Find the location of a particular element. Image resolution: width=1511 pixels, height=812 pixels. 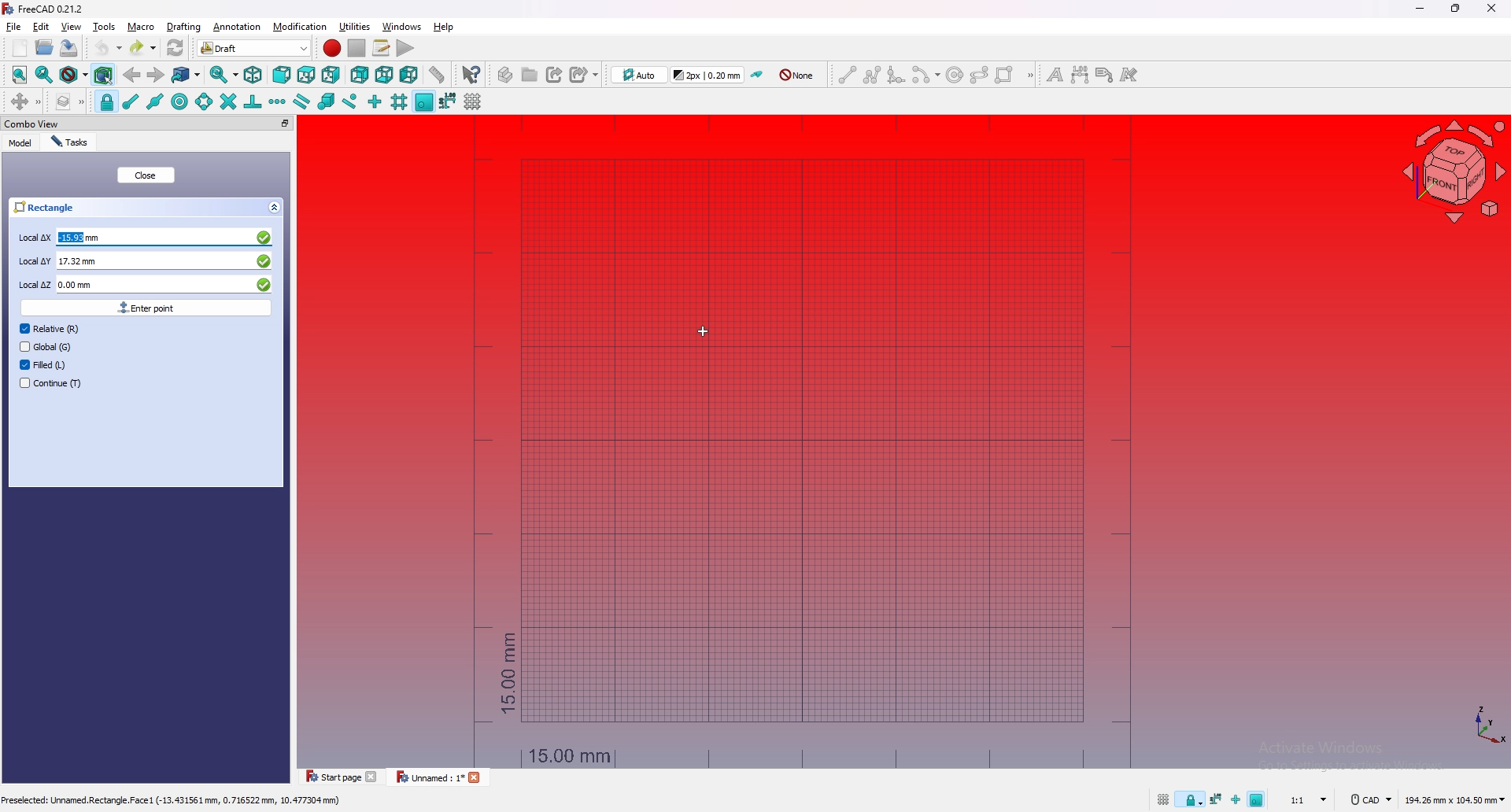

cad  is located at coordinates (1369, 800).